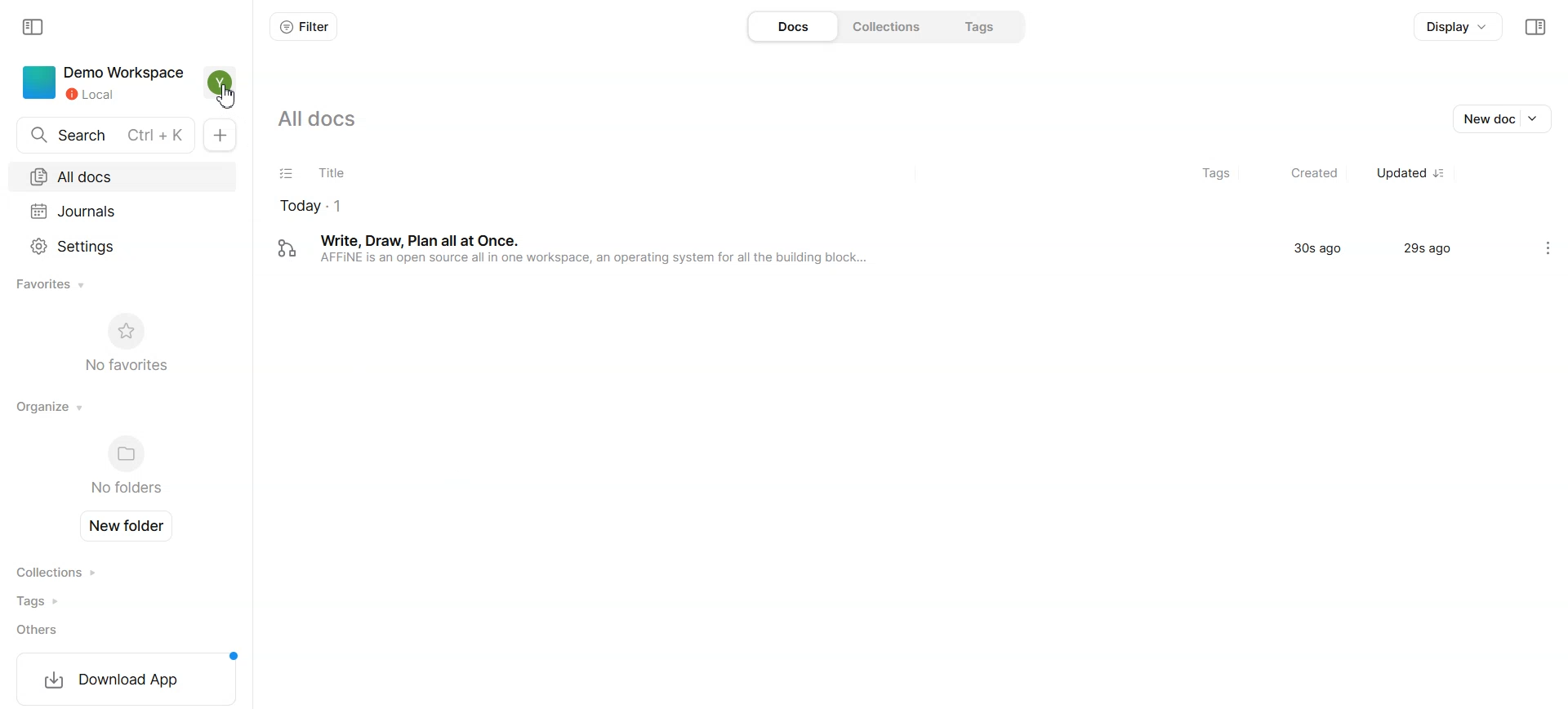 The height and width of the screenshot is (709, 1568). What do you see at coordinates (124, 678) in the screenshot?
I see `Download App` at bounding box center [124, 678].